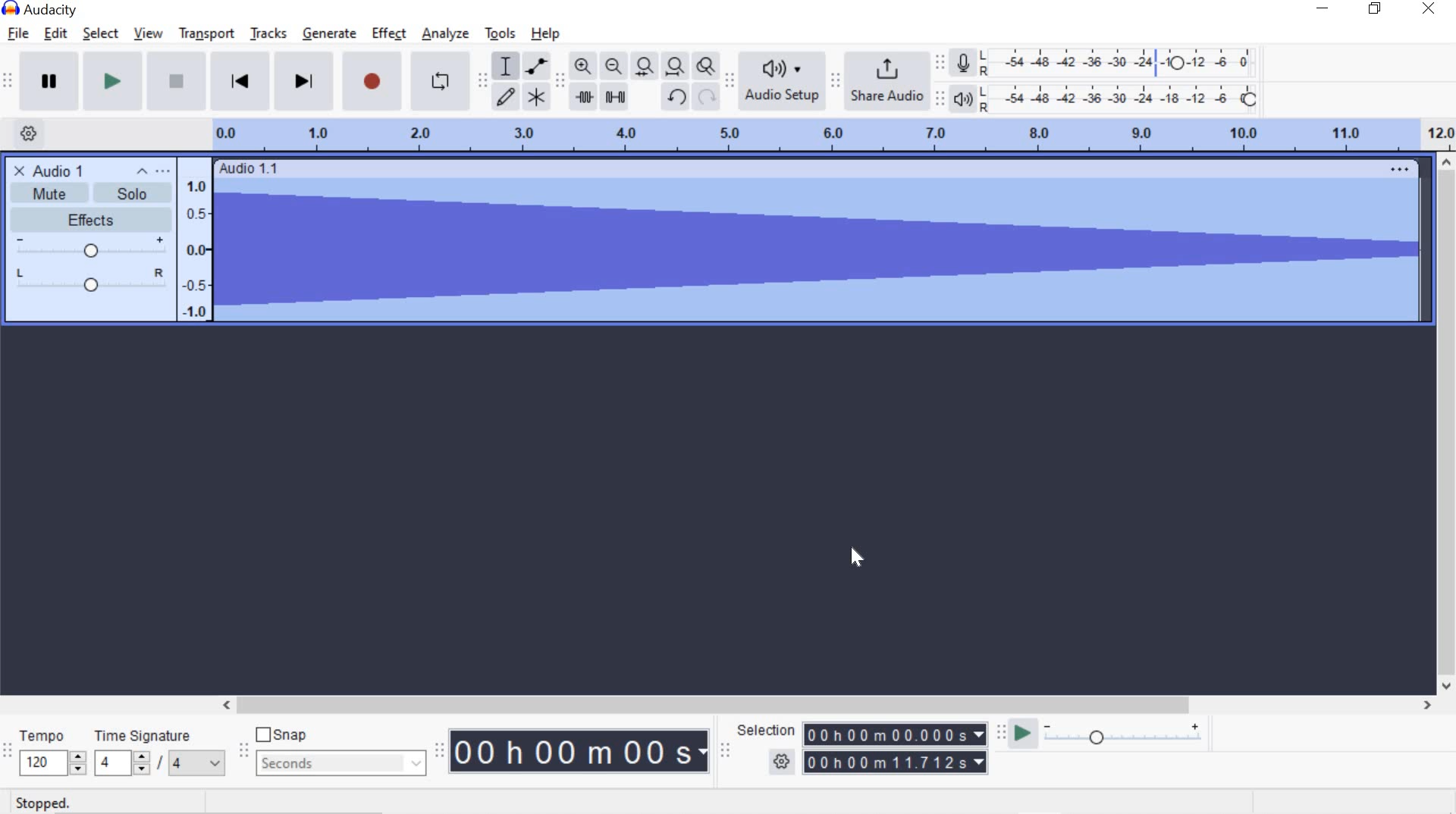  What do you see at coordinates (966, 64) in the screenshot?
I see `Record meter` at bounding box center [966, 64].